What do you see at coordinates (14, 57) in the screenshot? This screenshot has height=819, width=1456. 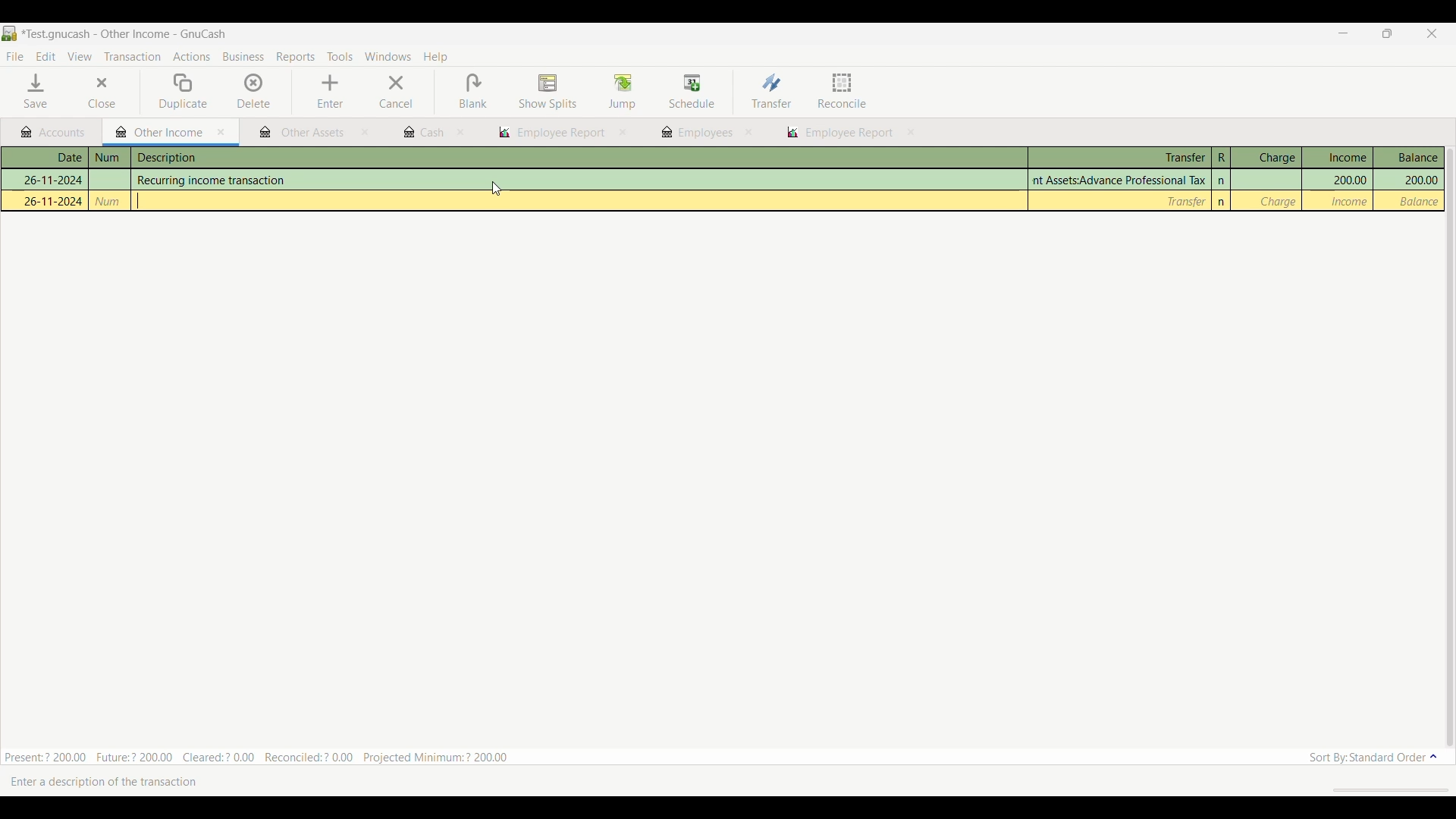 I see `File menu` at bounding box center [14, 57].